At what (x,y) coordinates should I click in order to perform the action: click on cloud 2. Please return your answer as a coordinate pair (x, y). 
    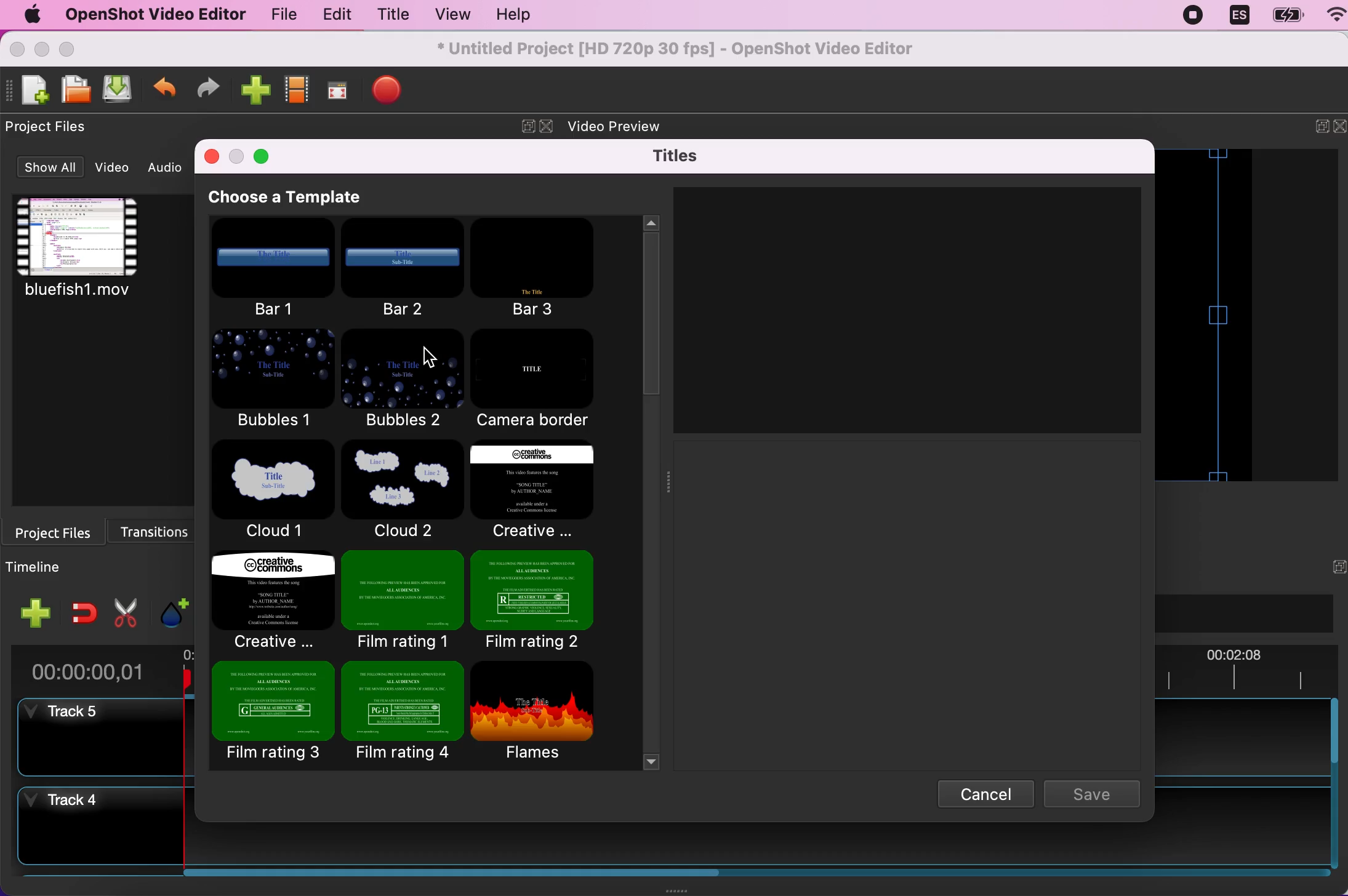
    Looking at the image, I should click on (399, 490).